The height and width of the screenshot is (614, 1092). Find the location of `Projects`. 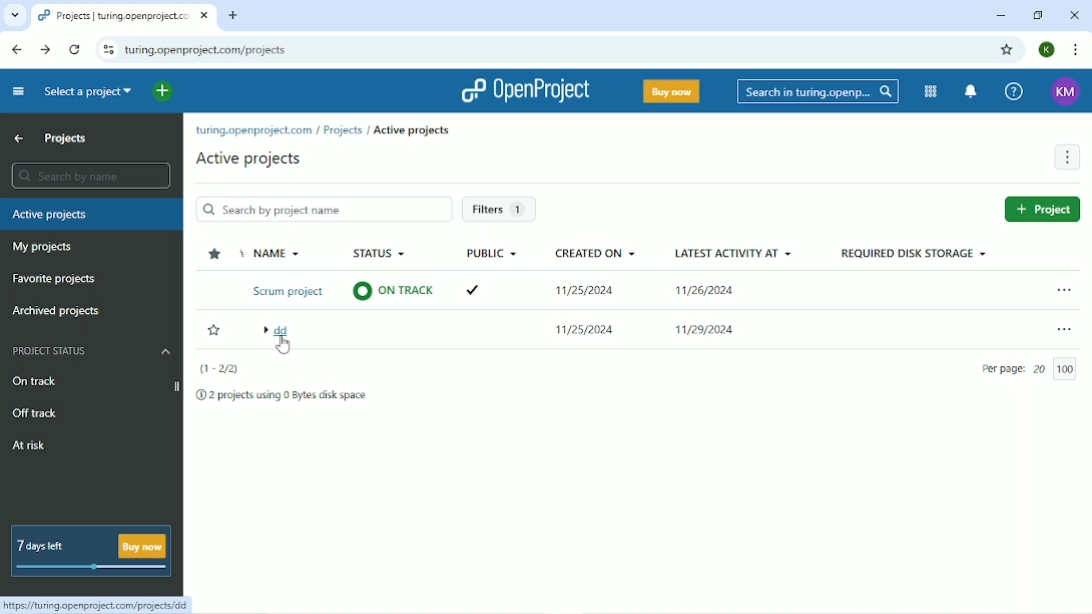

Projects is located at coordinates (343, 130).